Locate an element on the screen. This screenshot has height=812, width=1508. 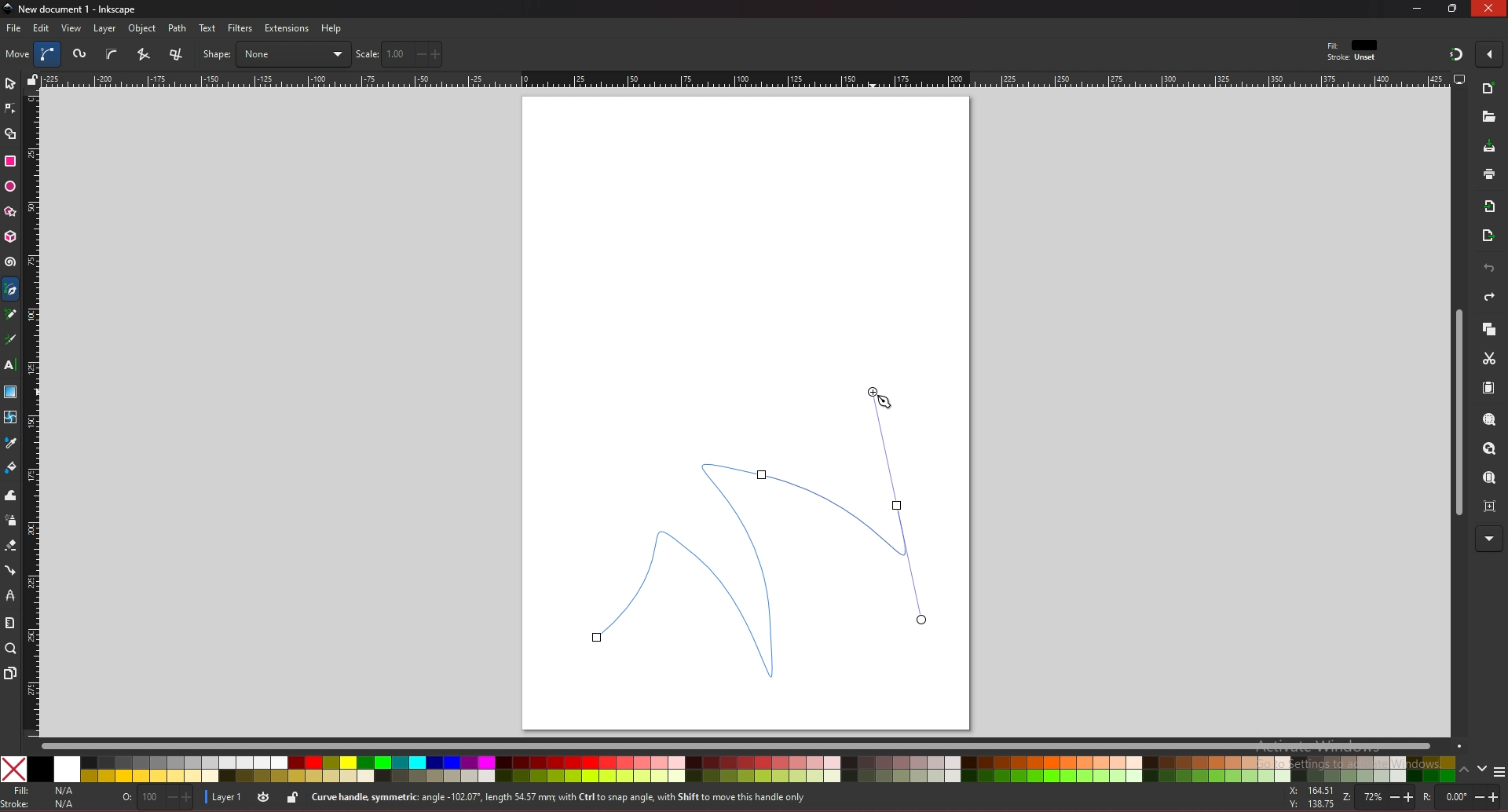
print is located at coordinates (1489, 174).